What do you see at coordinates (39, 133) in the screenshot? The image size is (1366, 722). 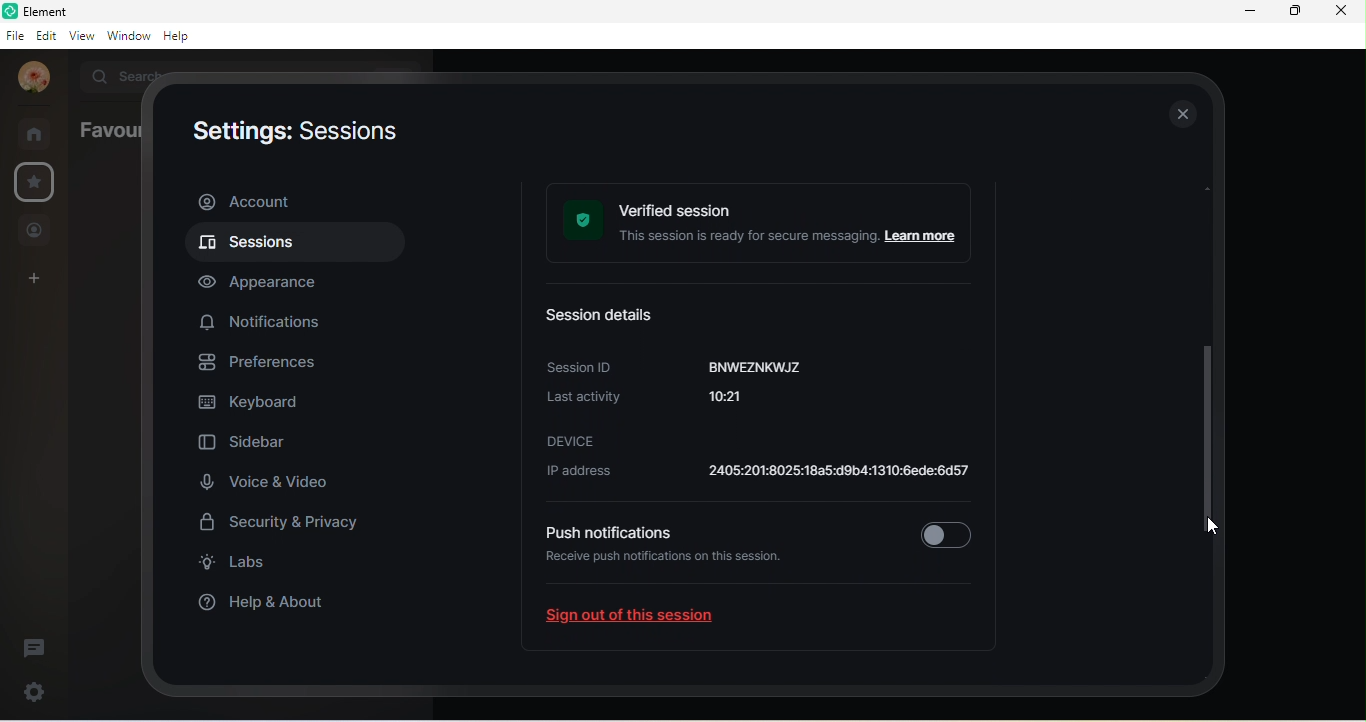 I see `rooms` at bounding box center [39, 133].